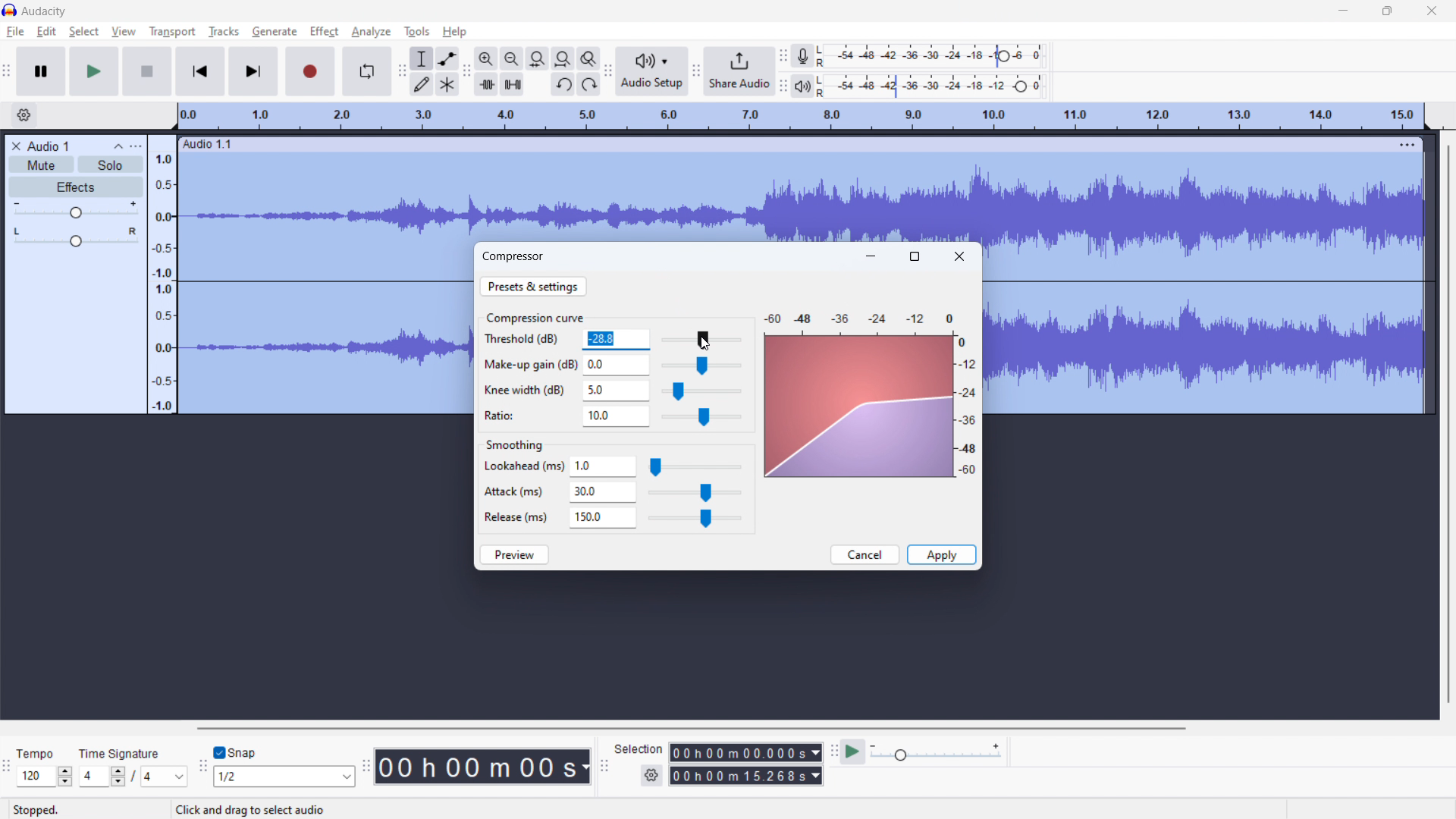 The width and height of the screenshot is (1456, 819). What do you see at coordinates (639, 747) in the screenshot?
I see `Selection` at bounding box center [639, 747].